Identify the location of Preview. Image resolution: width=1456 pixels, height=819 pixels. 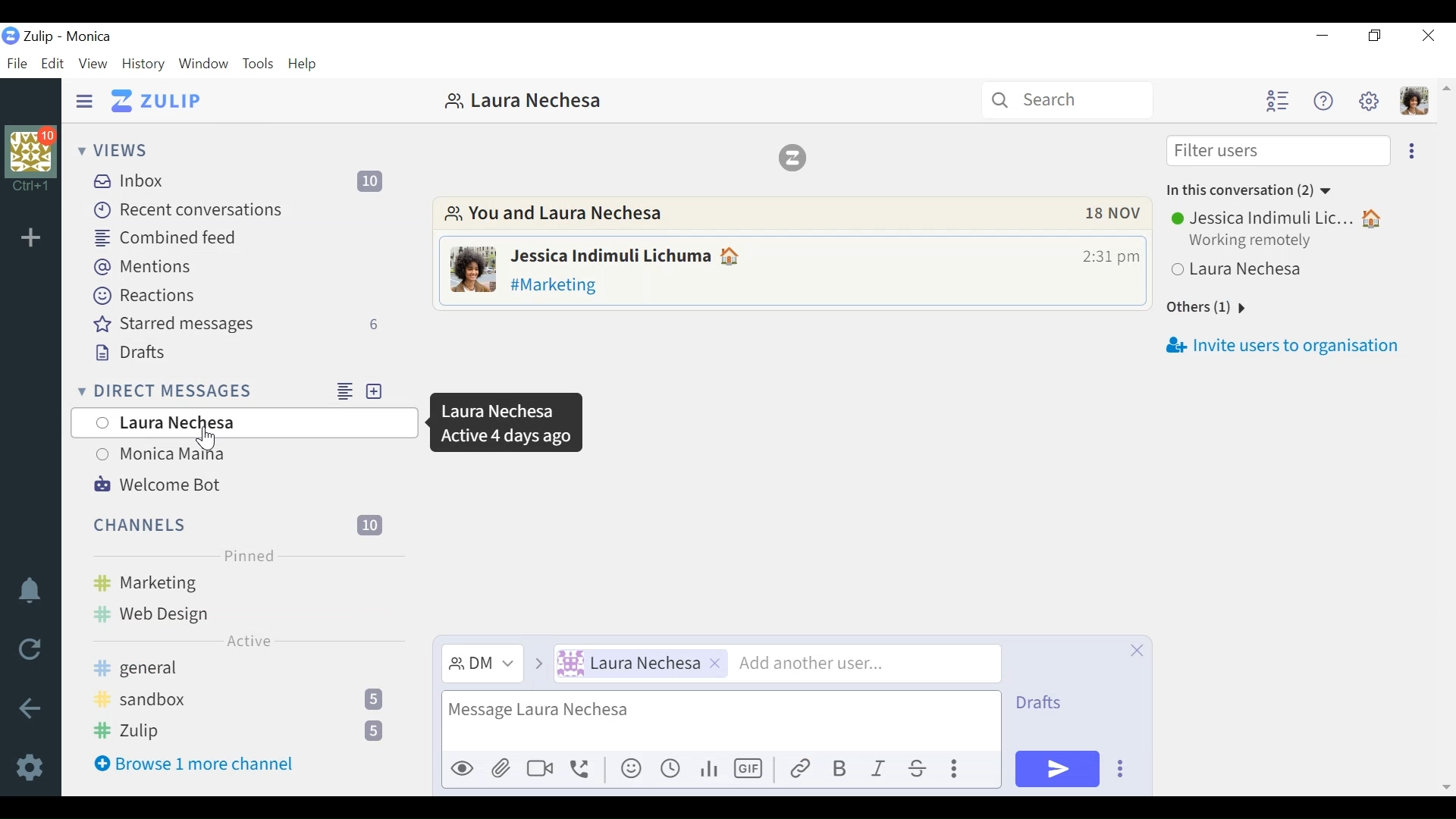
(461, 769).